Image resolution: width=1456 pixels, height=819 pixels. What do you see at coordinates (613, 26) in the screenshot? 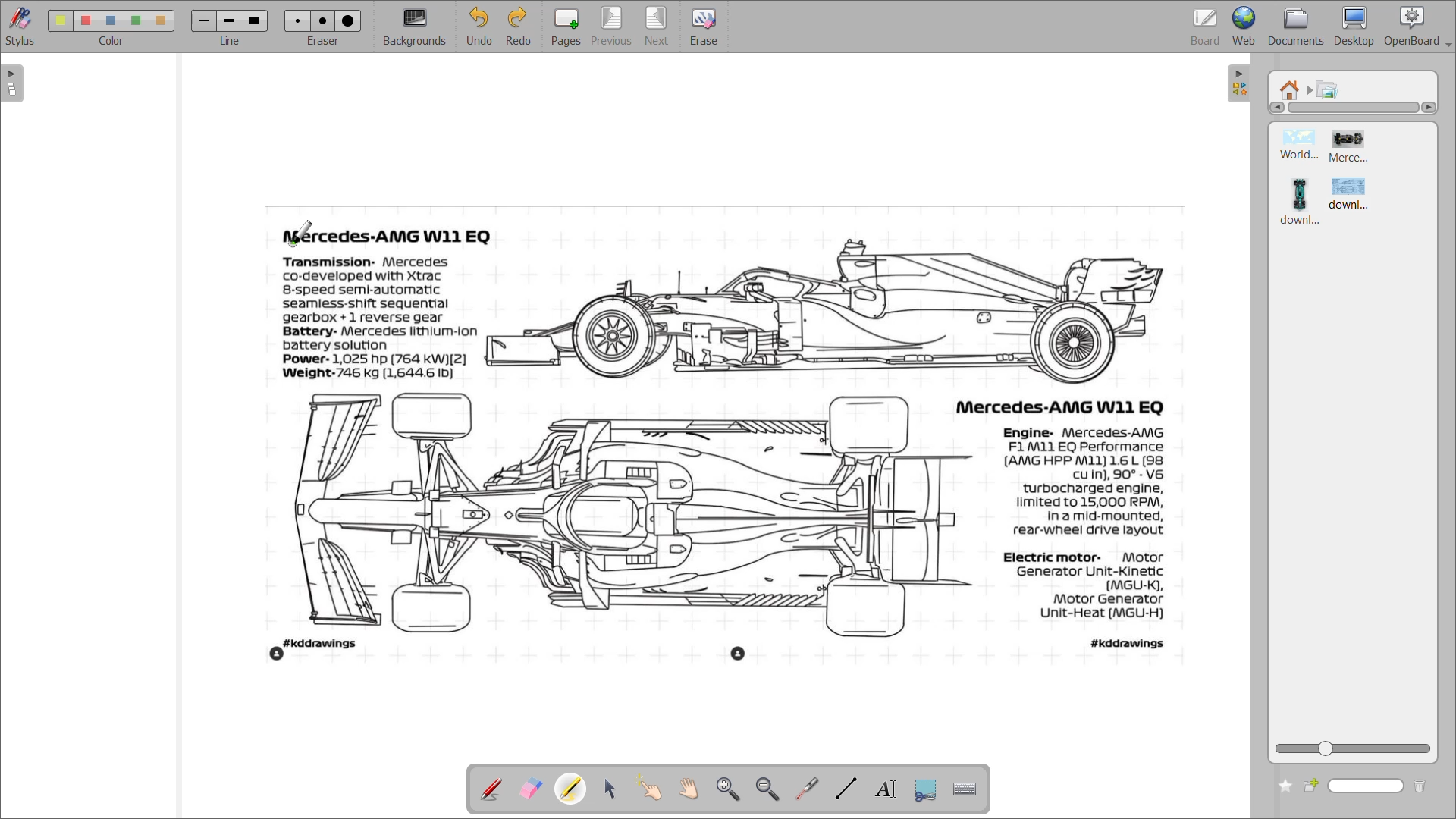
I see `previous` at bounding box center [613, 26].